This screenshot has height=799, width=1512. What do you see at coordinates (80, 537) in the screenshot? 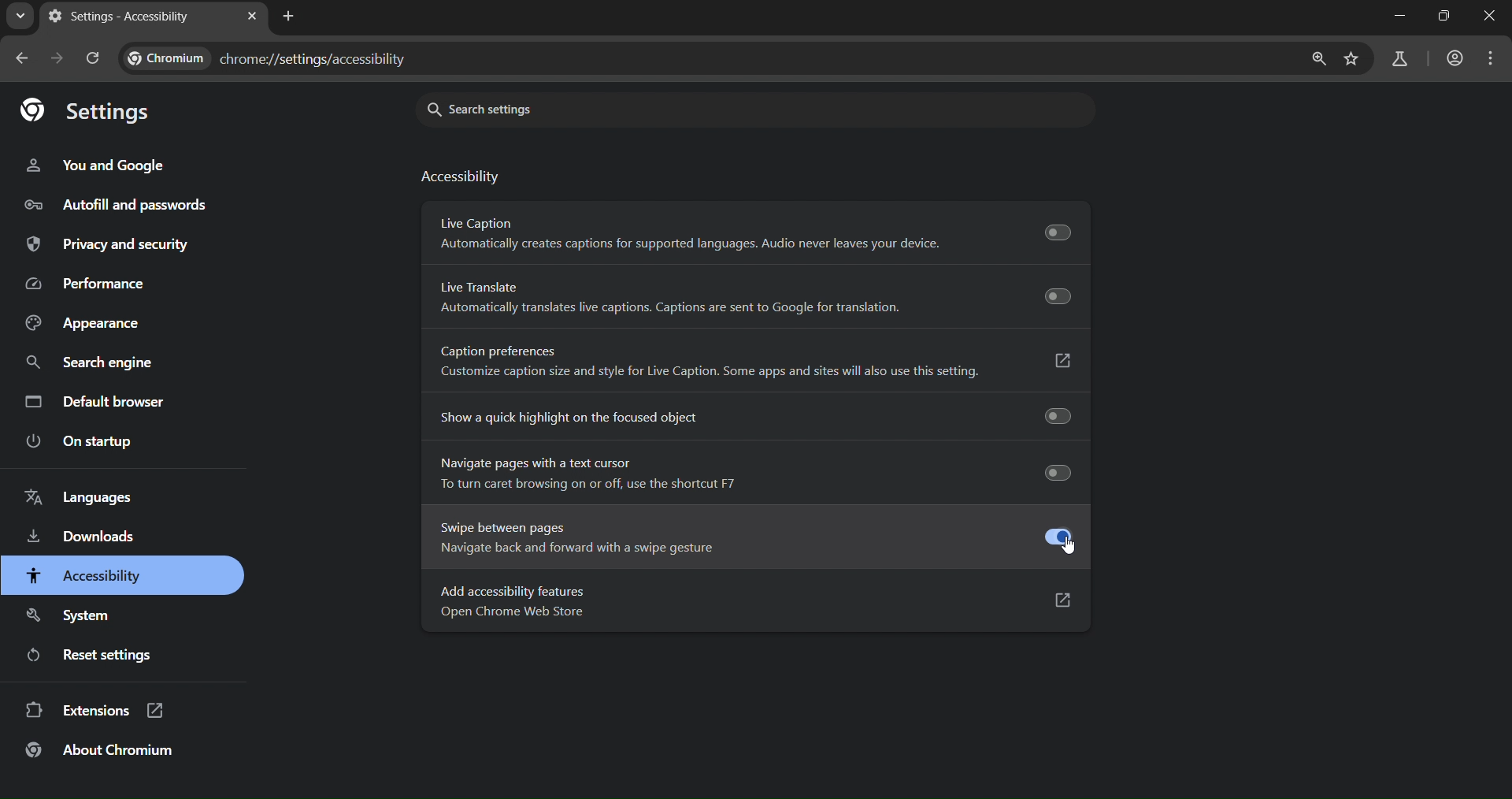
I see `downloads` at bounding box center [80, 537].